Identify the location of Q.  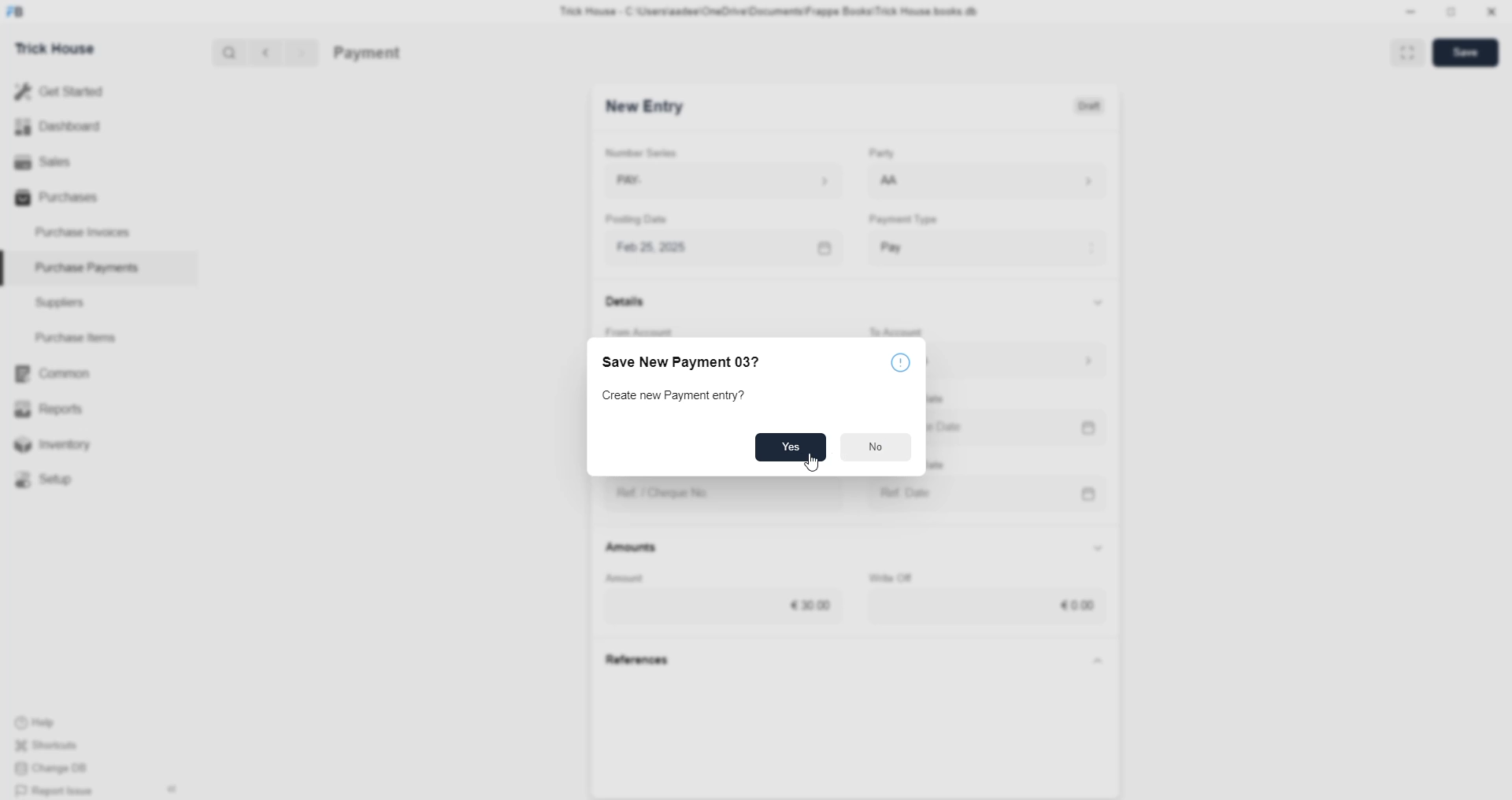
(224, 51).